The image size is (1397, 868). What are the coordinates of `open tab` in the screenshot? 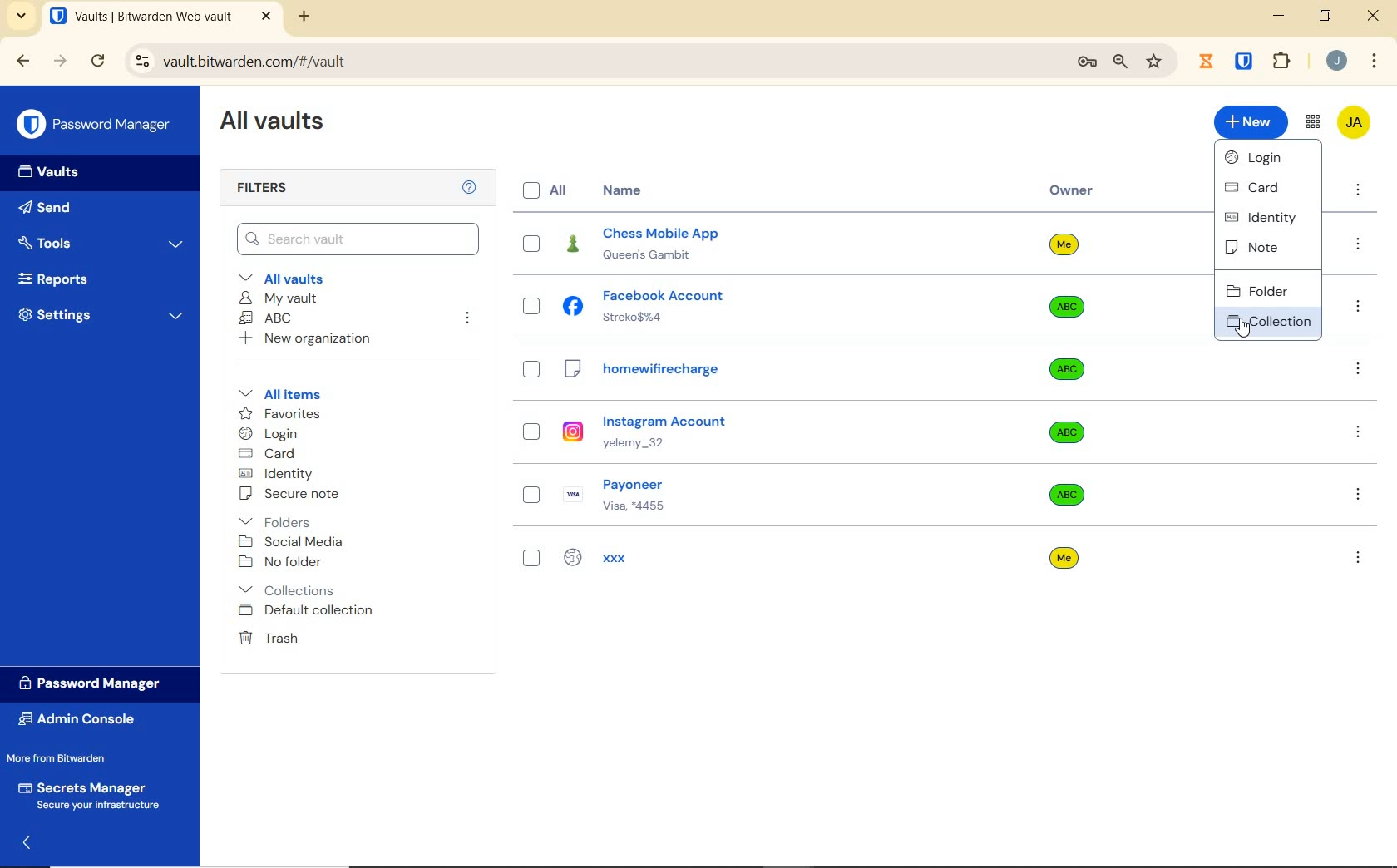 It's located at (160, 17).